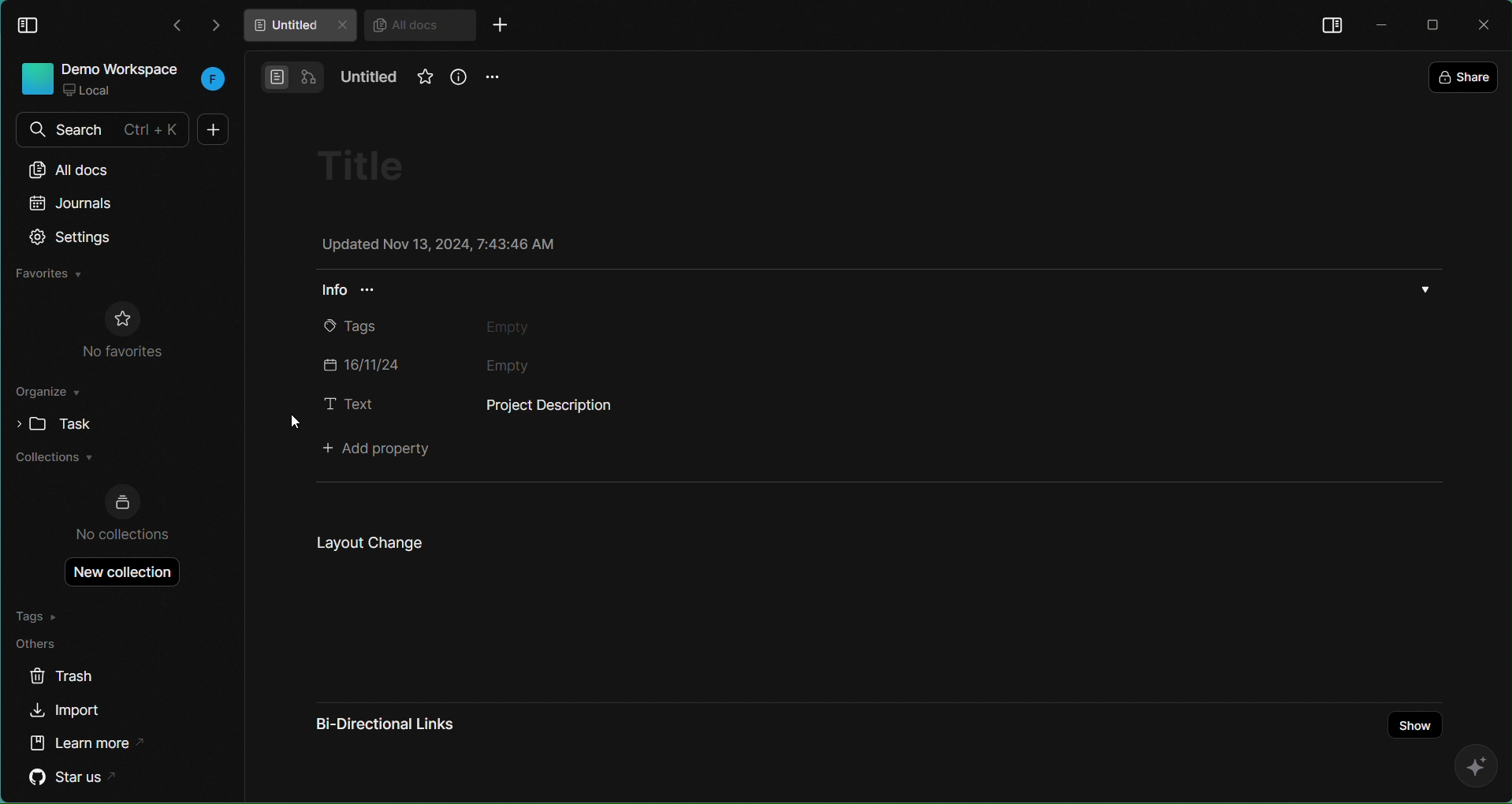 The image size is (1512, 804). Describe the element at coordinates (286, 426) in the screenshot. I see `cursor` at that location.